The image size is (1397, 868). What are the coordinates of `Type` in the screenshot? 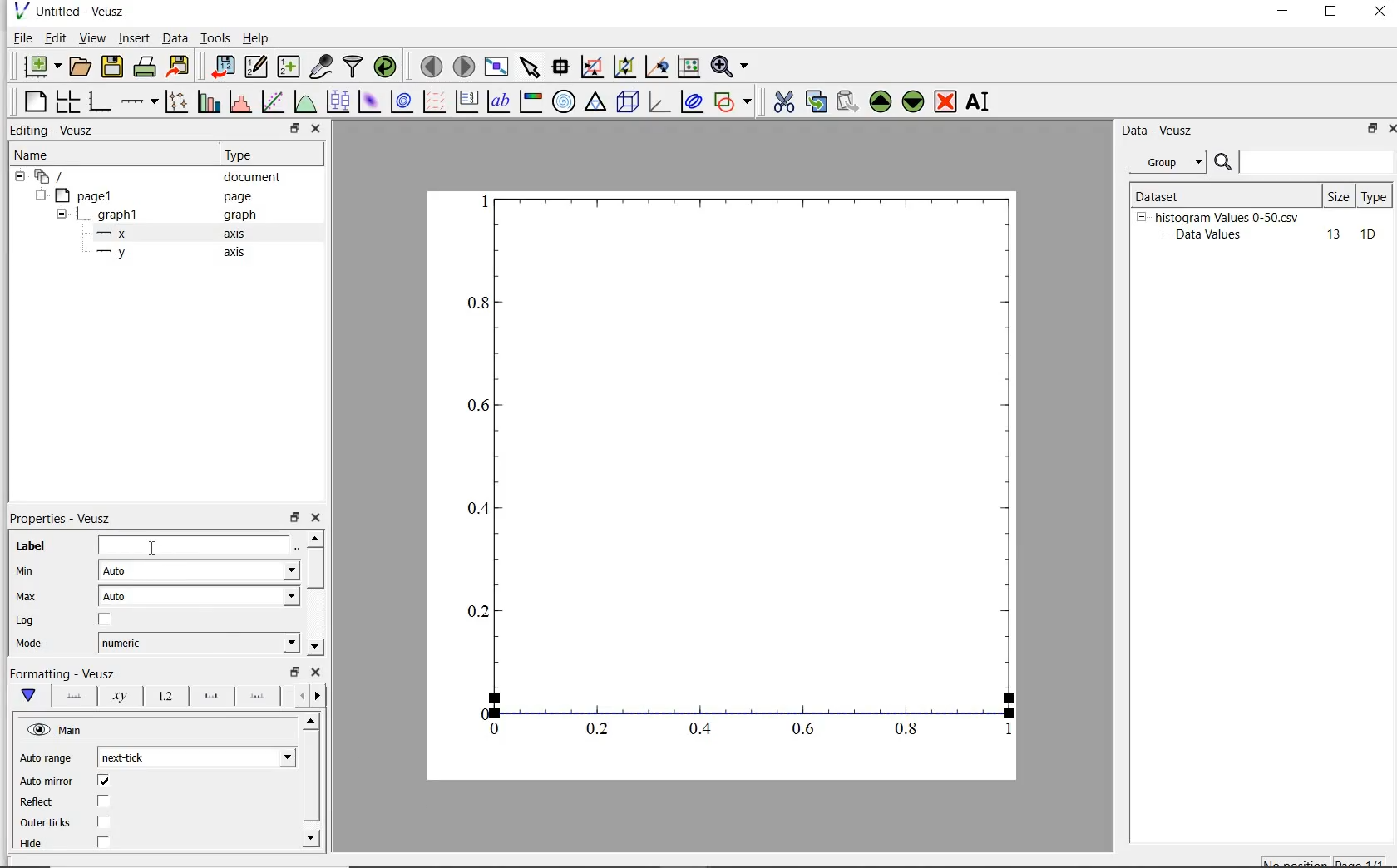 It's located at (268, 155).